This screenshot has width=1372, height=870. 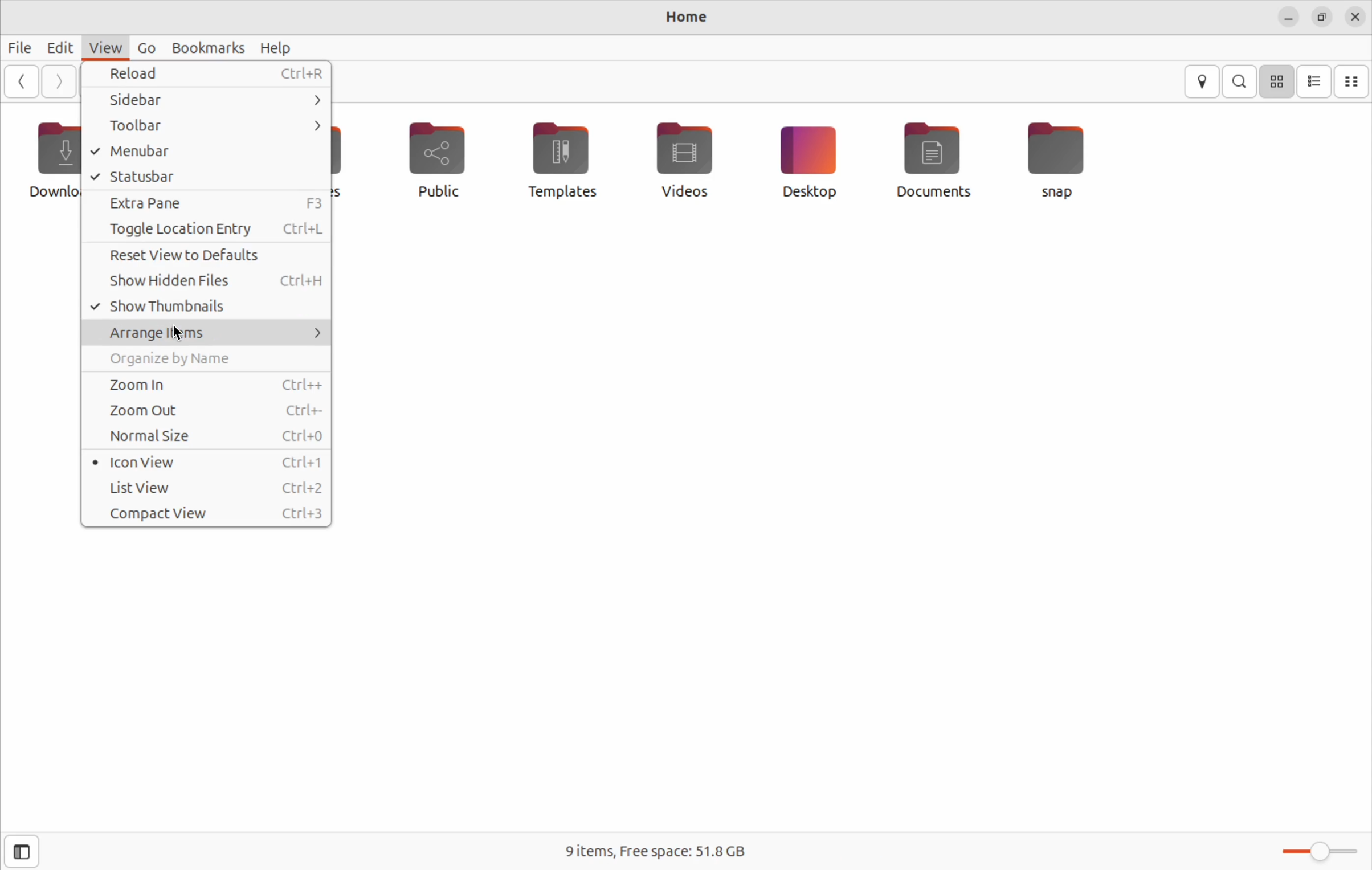 I want to click on toolbar, so click(x=203, y=127).